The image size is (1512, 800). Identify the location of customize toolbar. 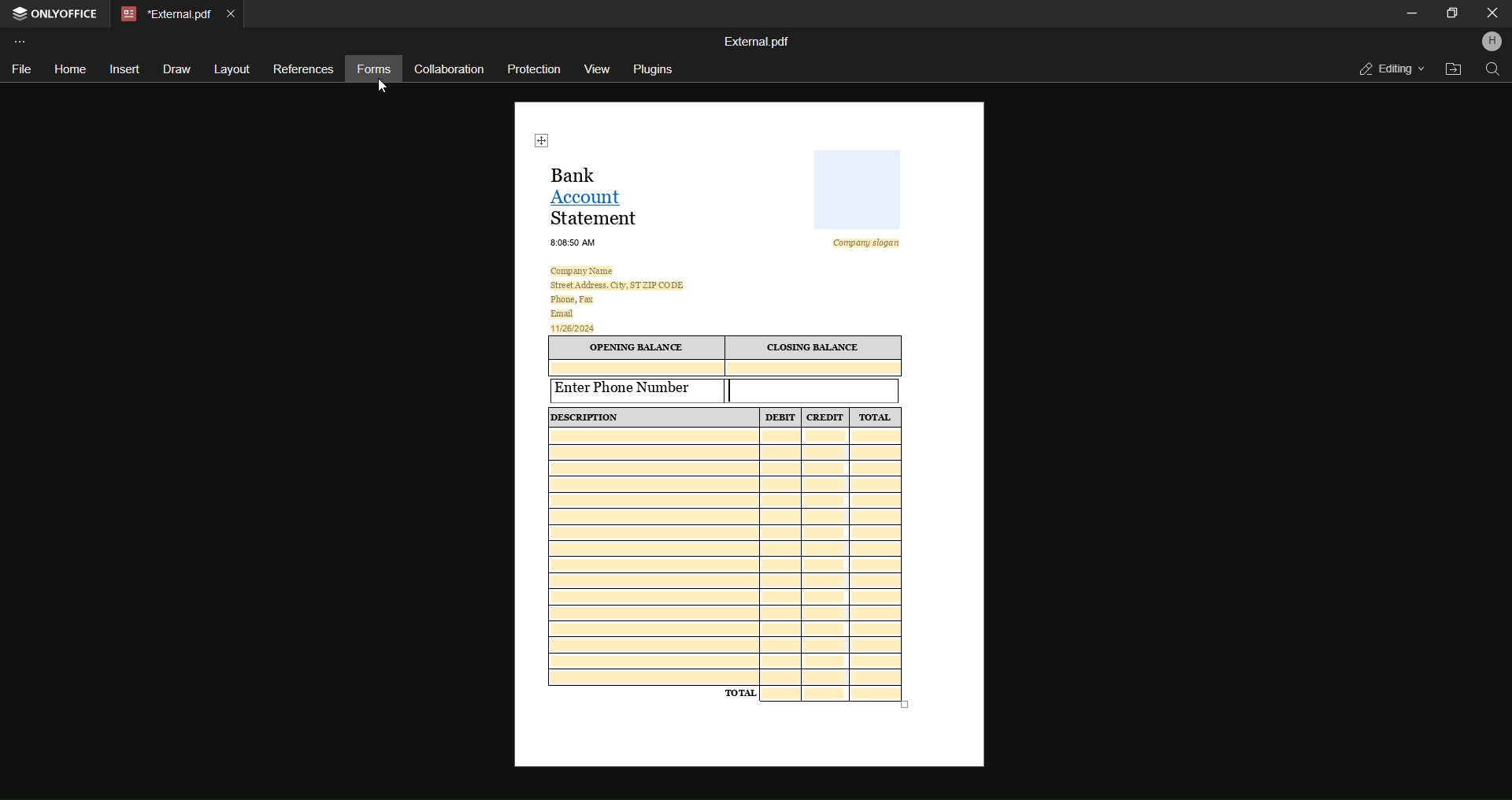
(24, 39).